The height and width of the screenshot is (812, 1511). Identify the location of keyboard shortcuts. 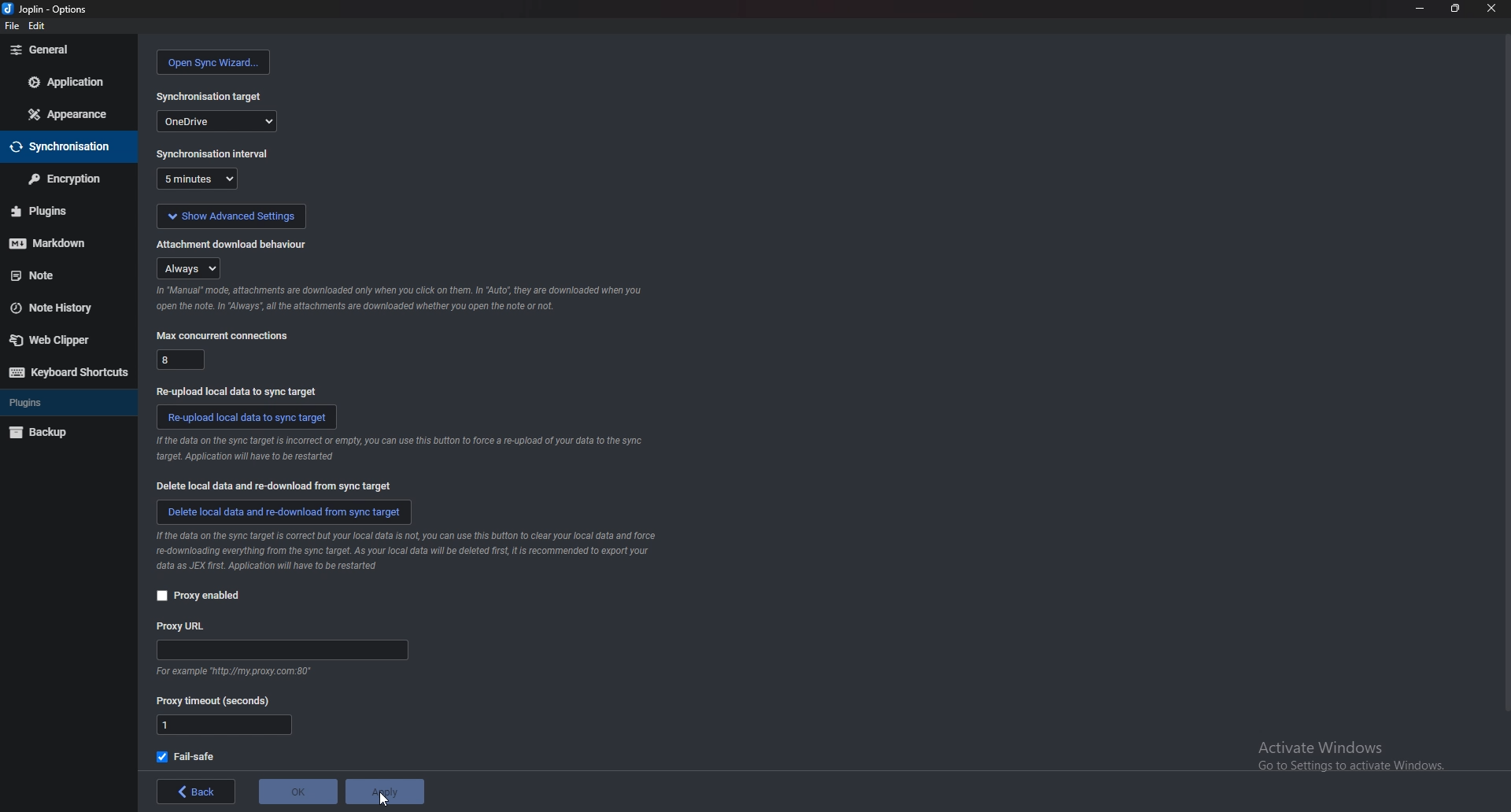
(67, 372).